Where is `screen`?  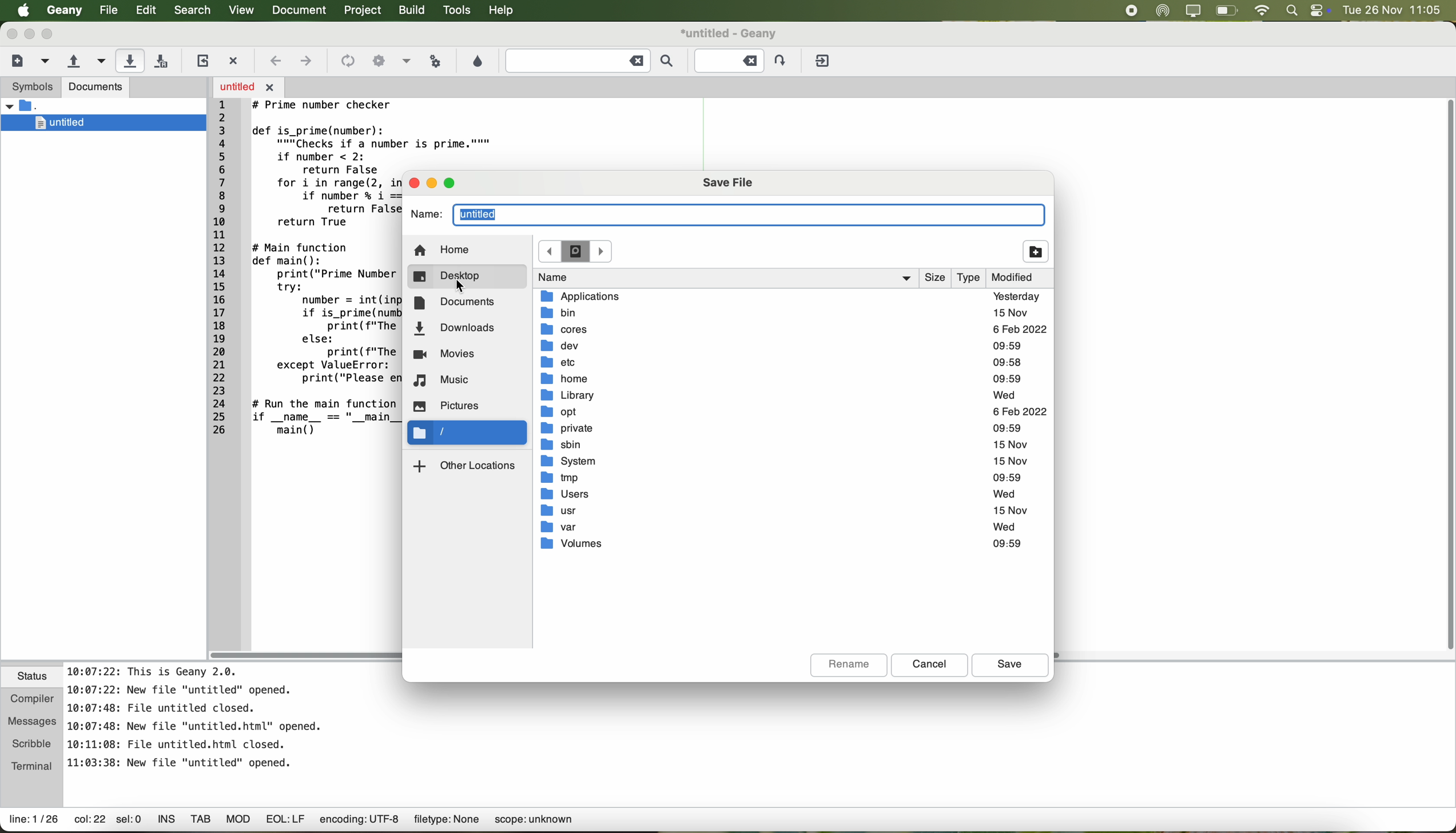 screen is located at coordinates (1193, 11).